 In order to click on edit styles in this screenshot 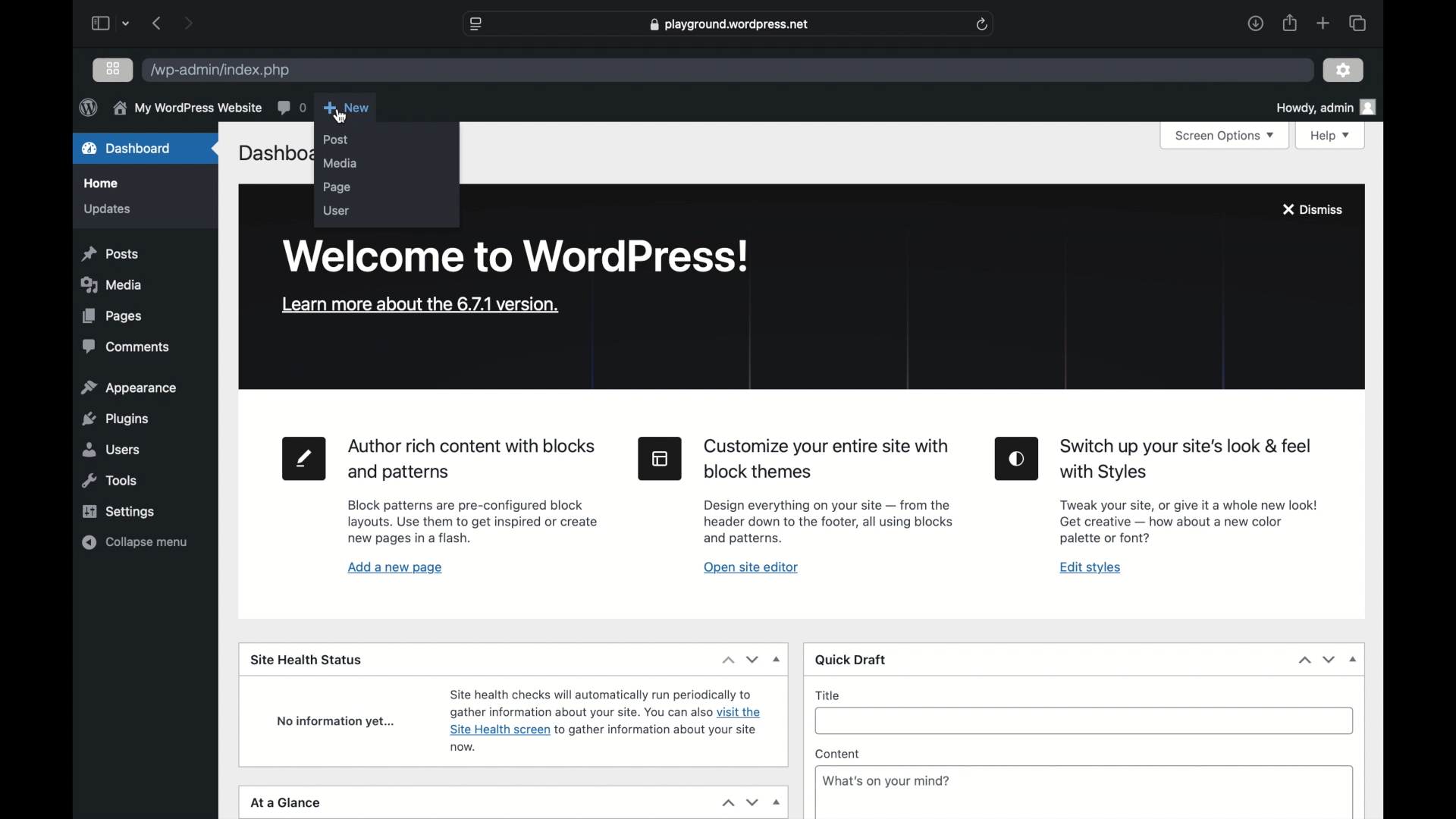, I will do `click(1091, 568)`.